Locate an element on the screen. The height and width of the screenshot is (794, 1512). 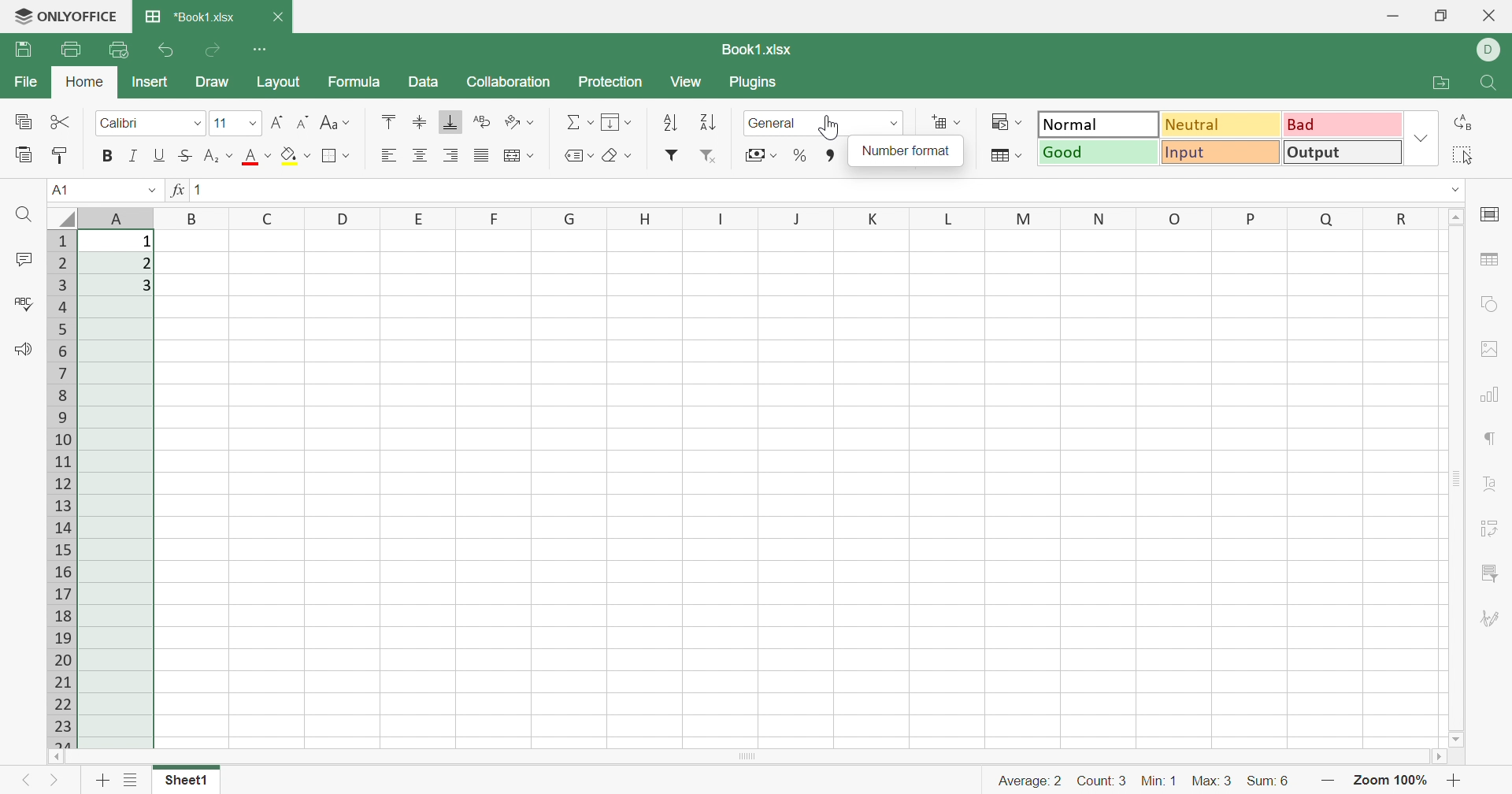
Fill color is located at coordinates (296, 154).